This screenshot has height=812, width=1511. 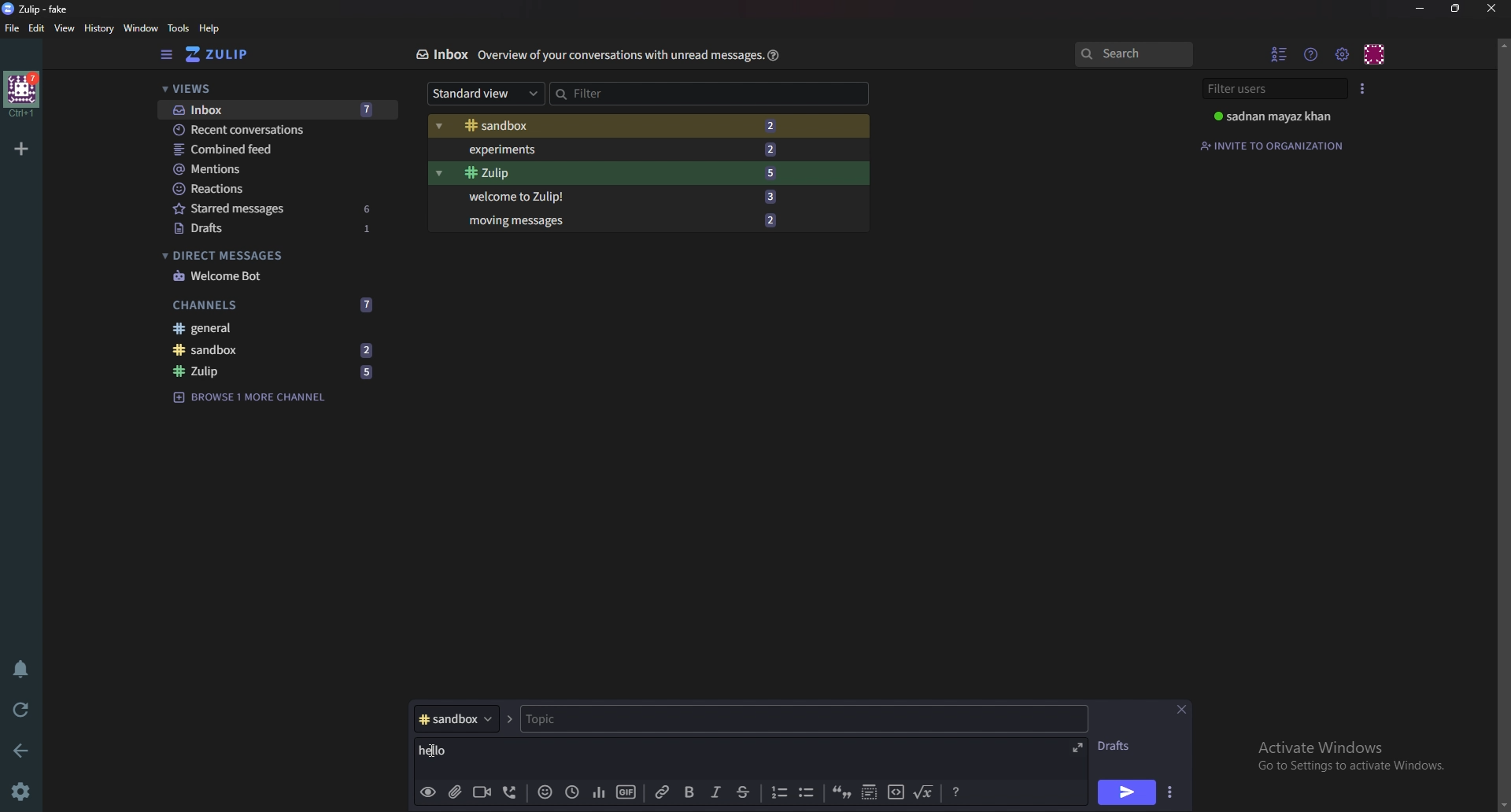 I want to click on # General, so click(x=278, y=330).